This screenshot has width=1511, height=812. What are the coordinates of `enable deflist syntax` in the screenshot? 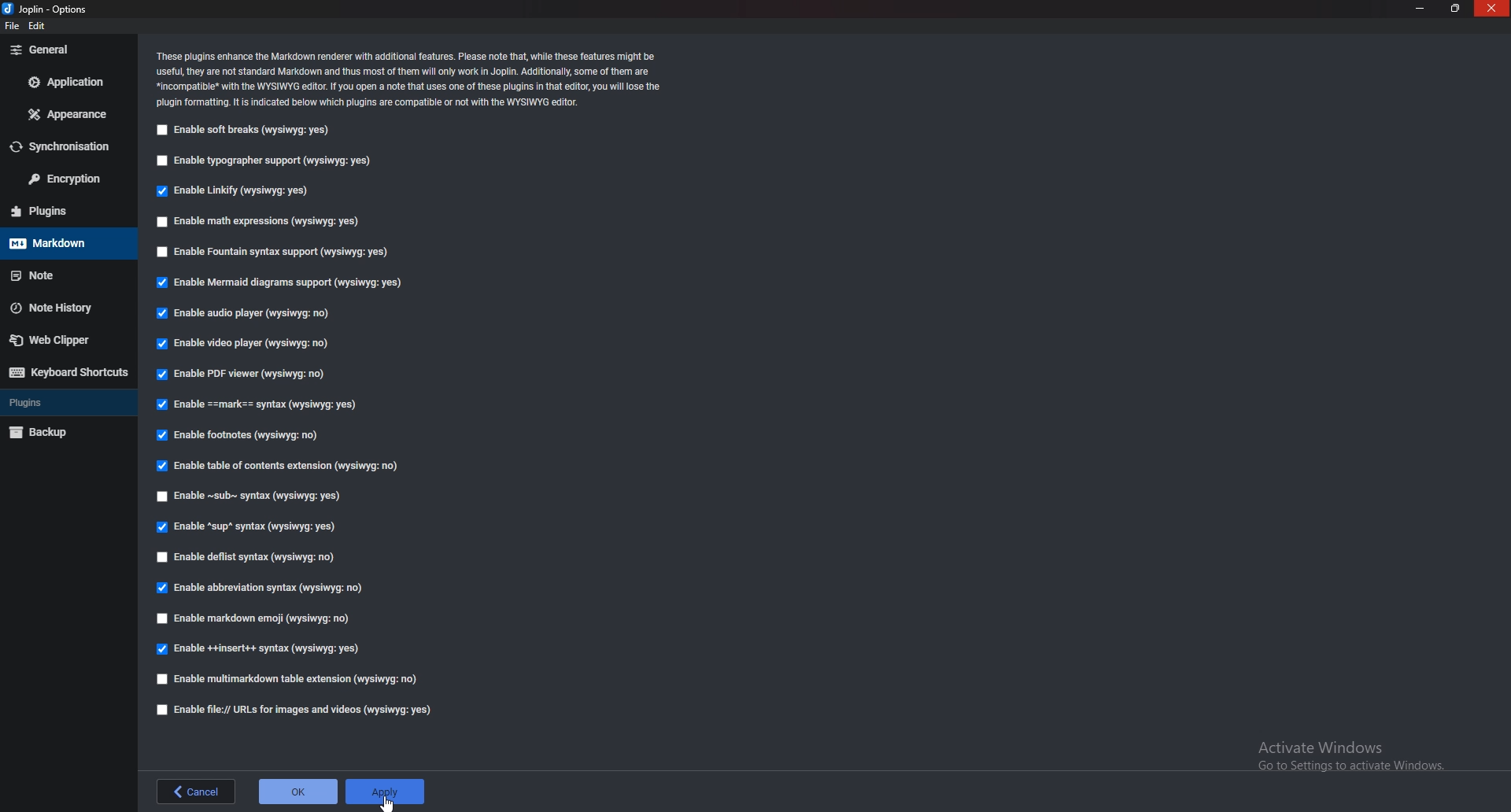 It's located at (248, 557).